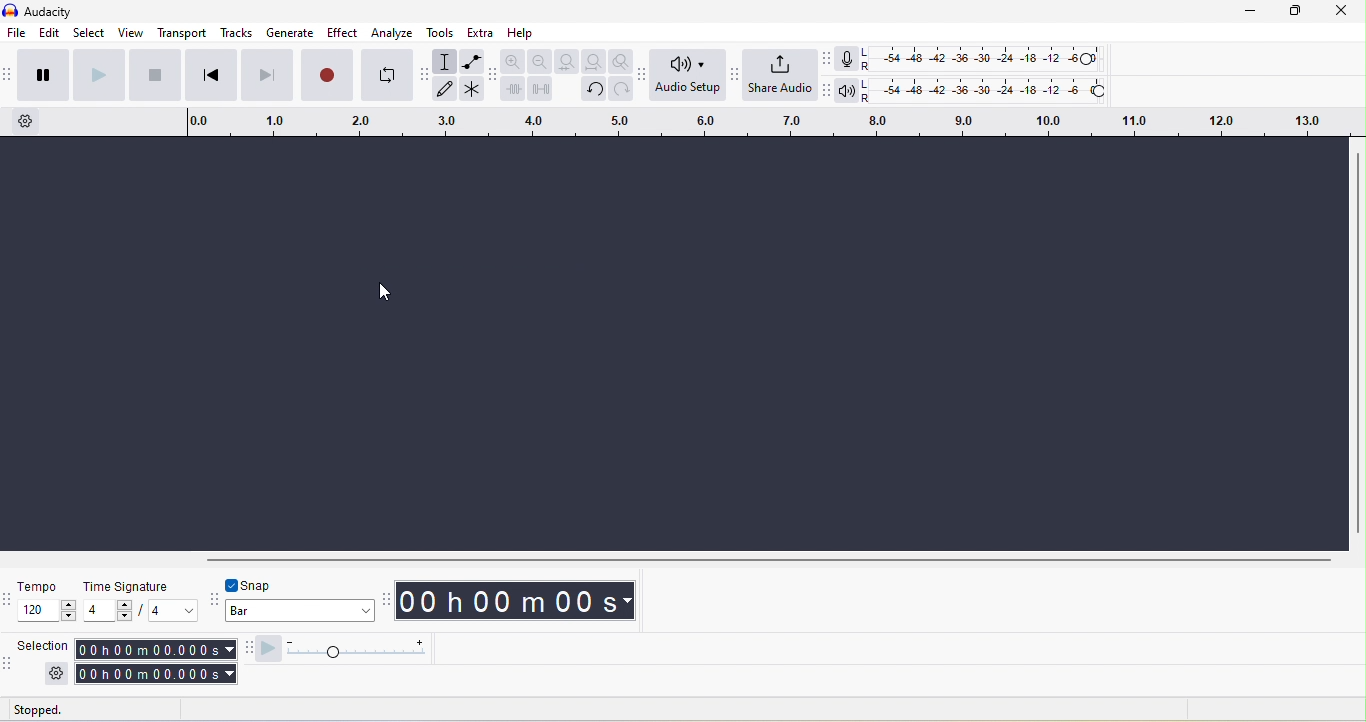  What do you see at coordinates (155, 76) in the screenshot?
I see `stop` at bounding box center [155, 76].